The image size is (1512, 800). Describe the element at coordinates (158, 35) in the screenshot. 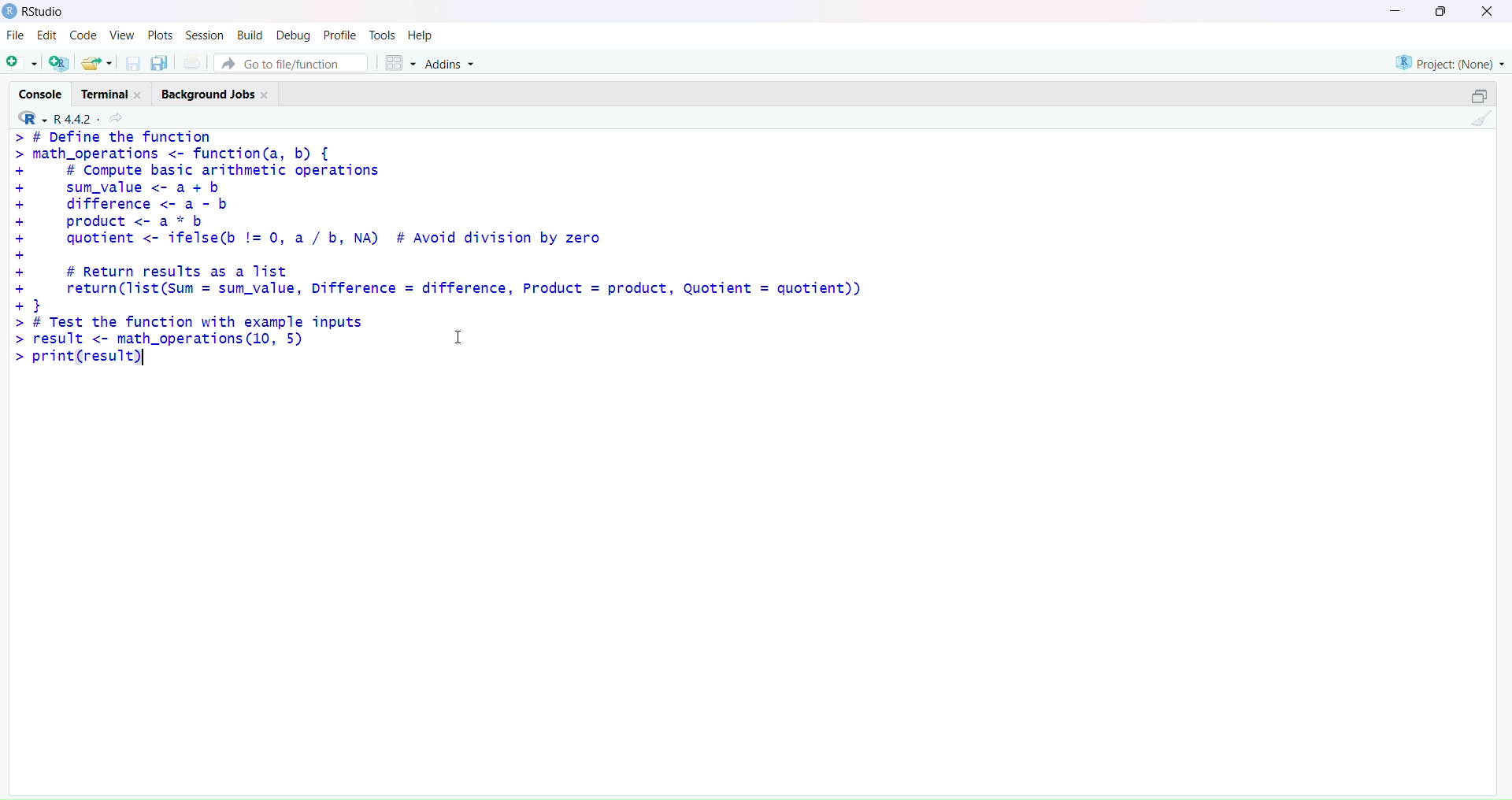

I see `Plots` at that location.